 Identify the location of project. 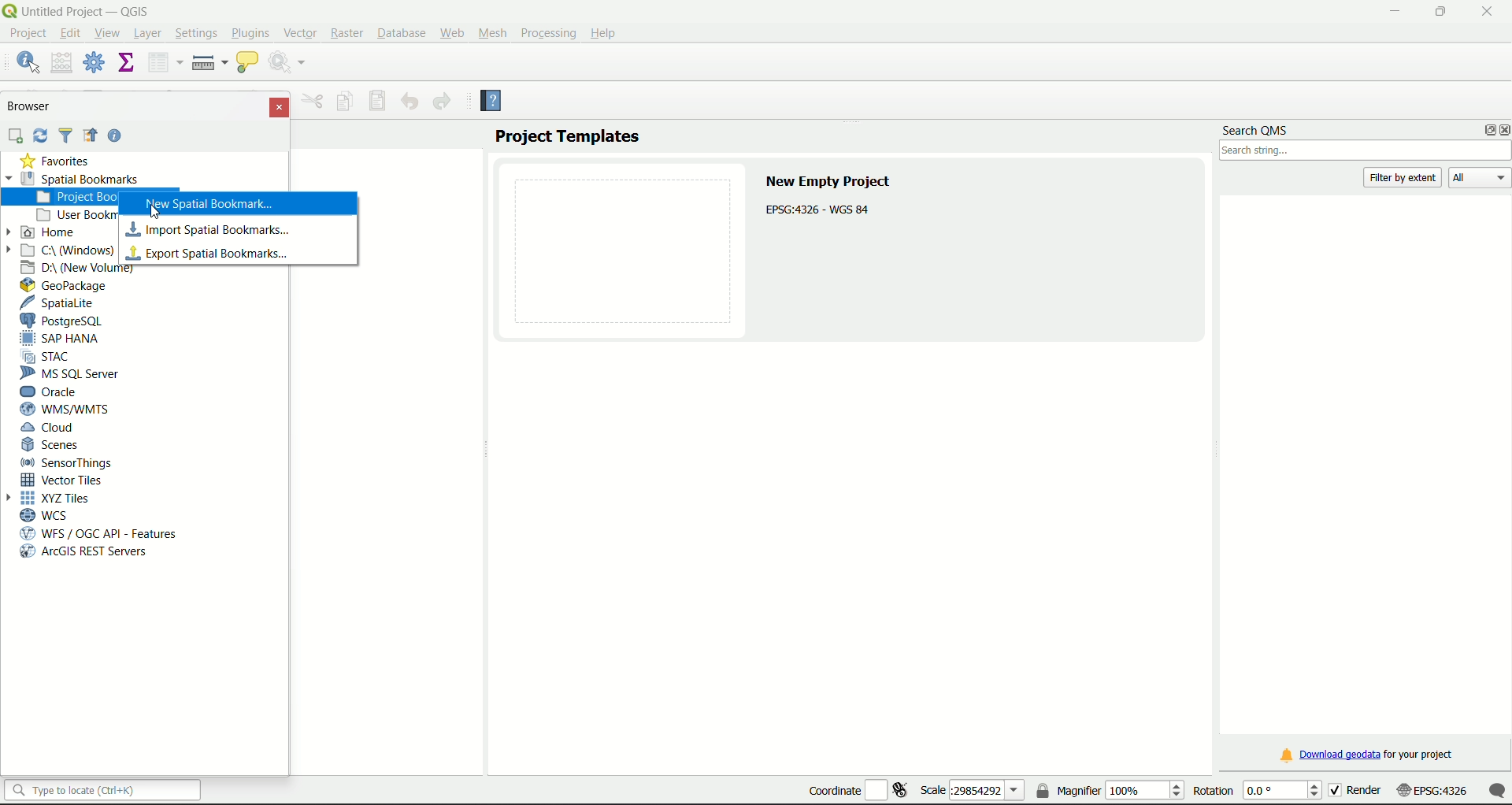
(29, 35).